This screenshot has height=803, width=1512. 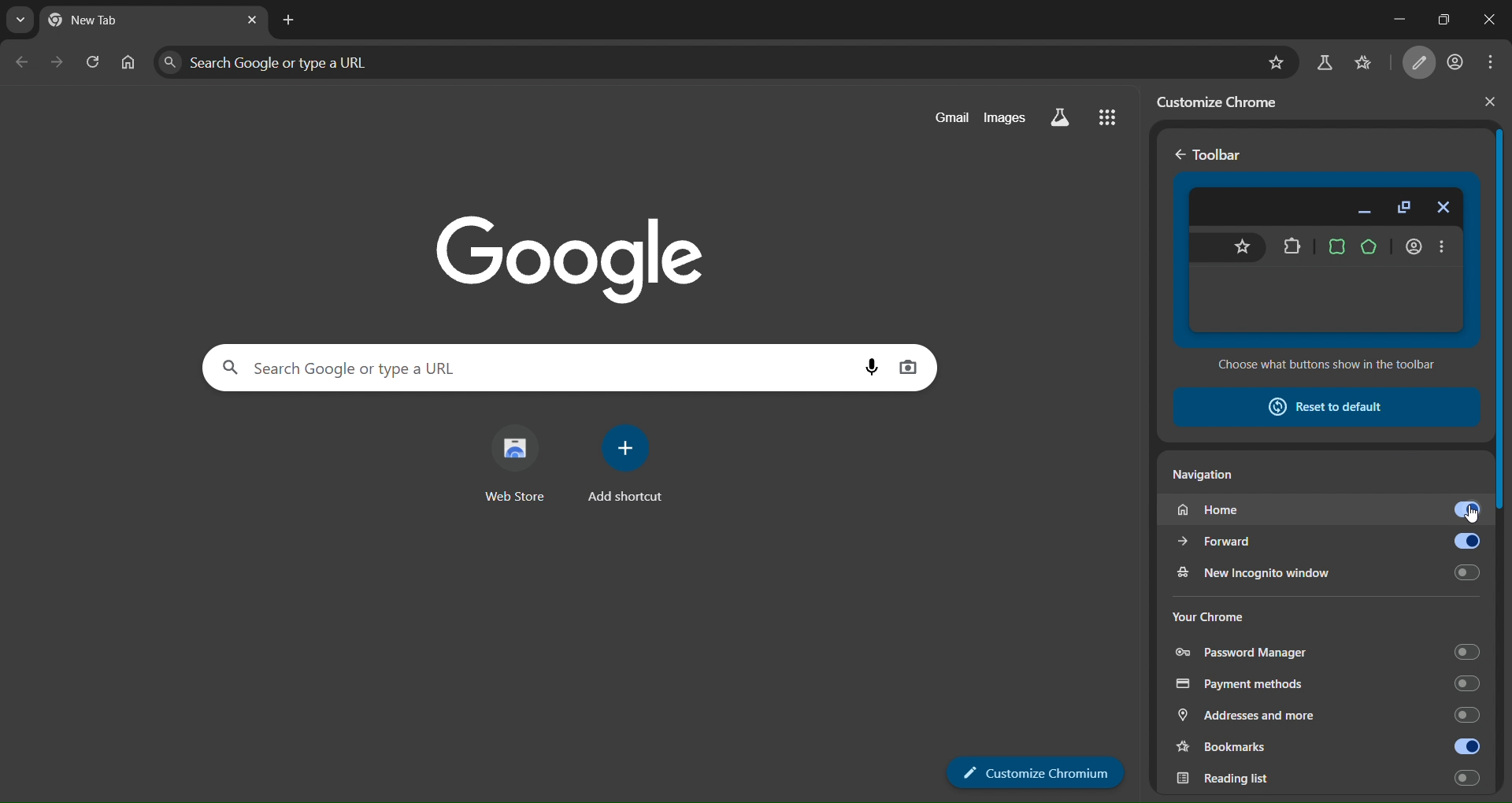 I want to click on new incognito window, so click(x=1327, y=572).